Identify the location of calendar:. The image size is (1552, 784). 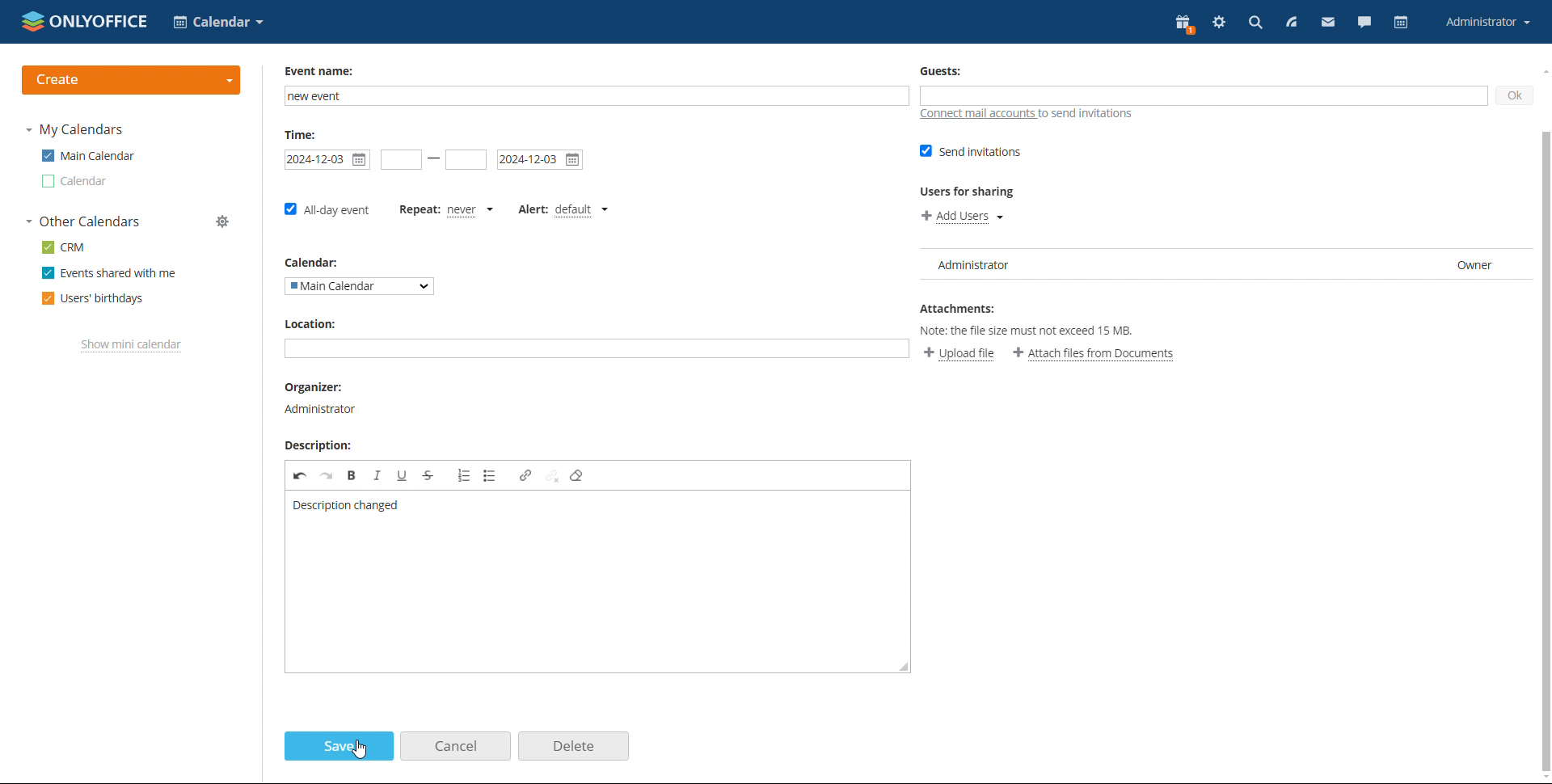
(317, 262).